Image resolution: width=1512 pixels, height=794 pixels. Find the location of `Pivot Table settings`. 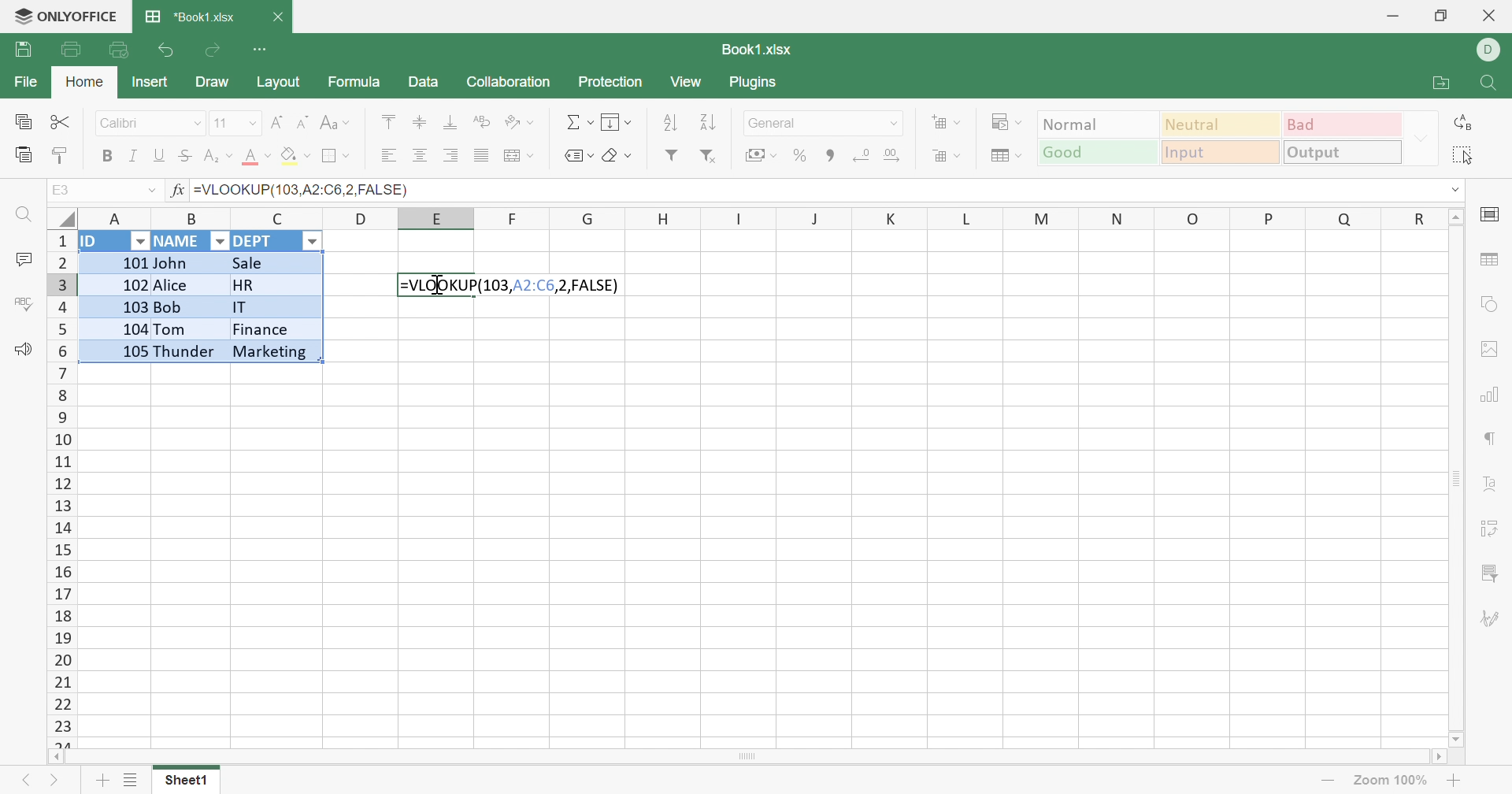

Pivot Table settings is located at coordinates (1491, 529).